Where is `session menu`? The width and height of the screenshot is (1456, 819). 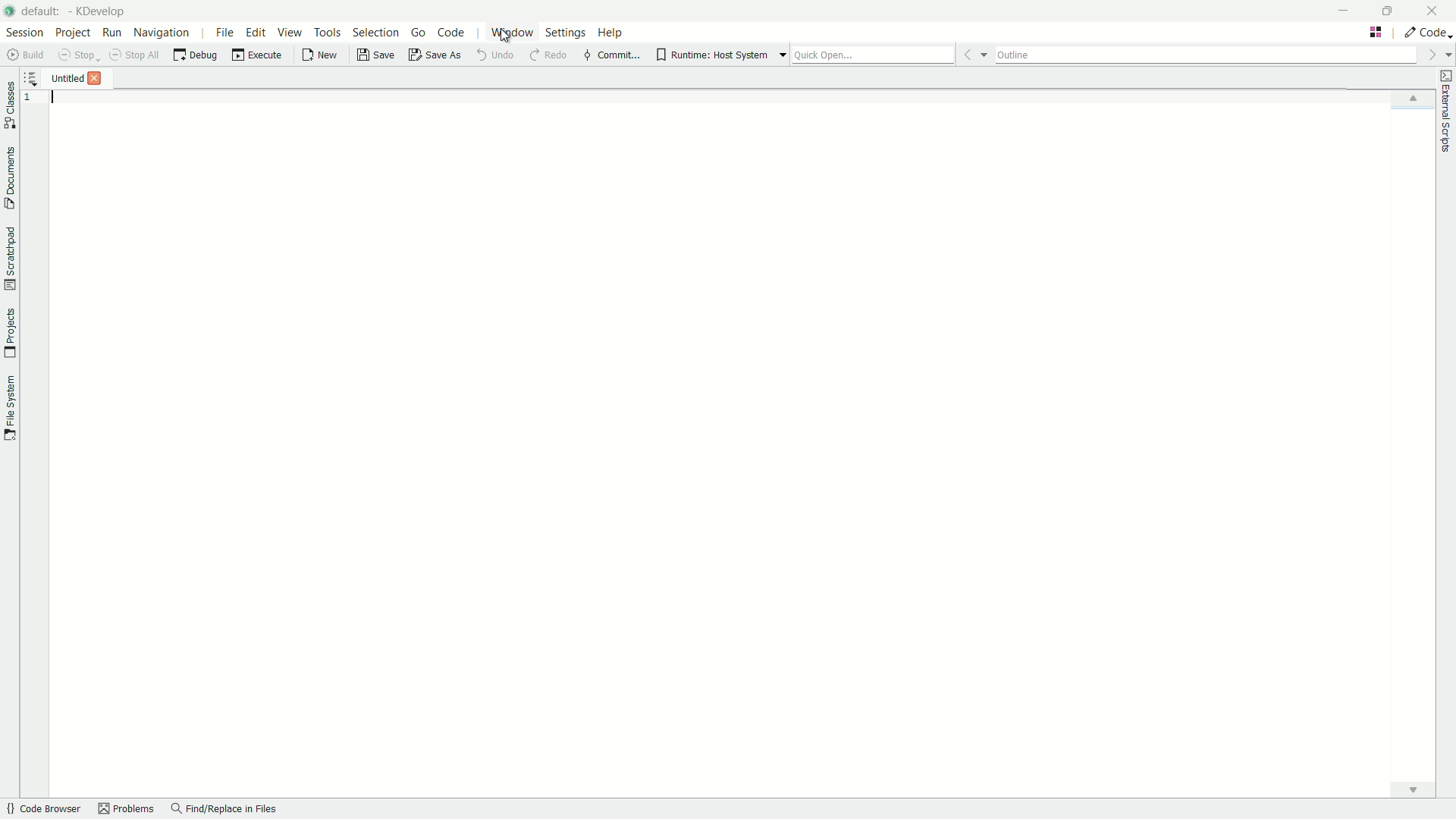
session menu is located at coordinates (24, 33).